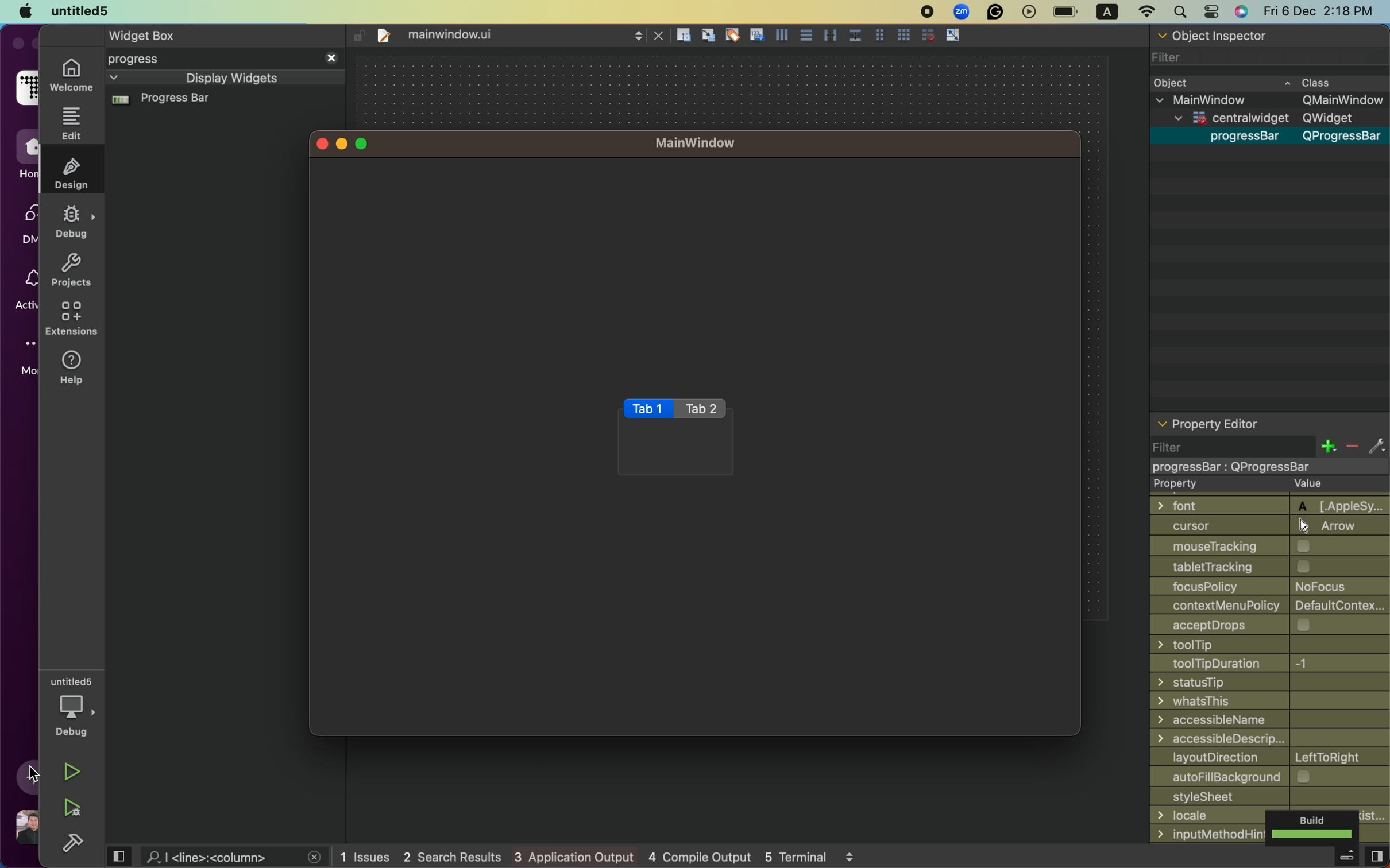  What do you see at coordinates (332, 58) in the screenshot?
I see `close` at bounding box center [332, 58].